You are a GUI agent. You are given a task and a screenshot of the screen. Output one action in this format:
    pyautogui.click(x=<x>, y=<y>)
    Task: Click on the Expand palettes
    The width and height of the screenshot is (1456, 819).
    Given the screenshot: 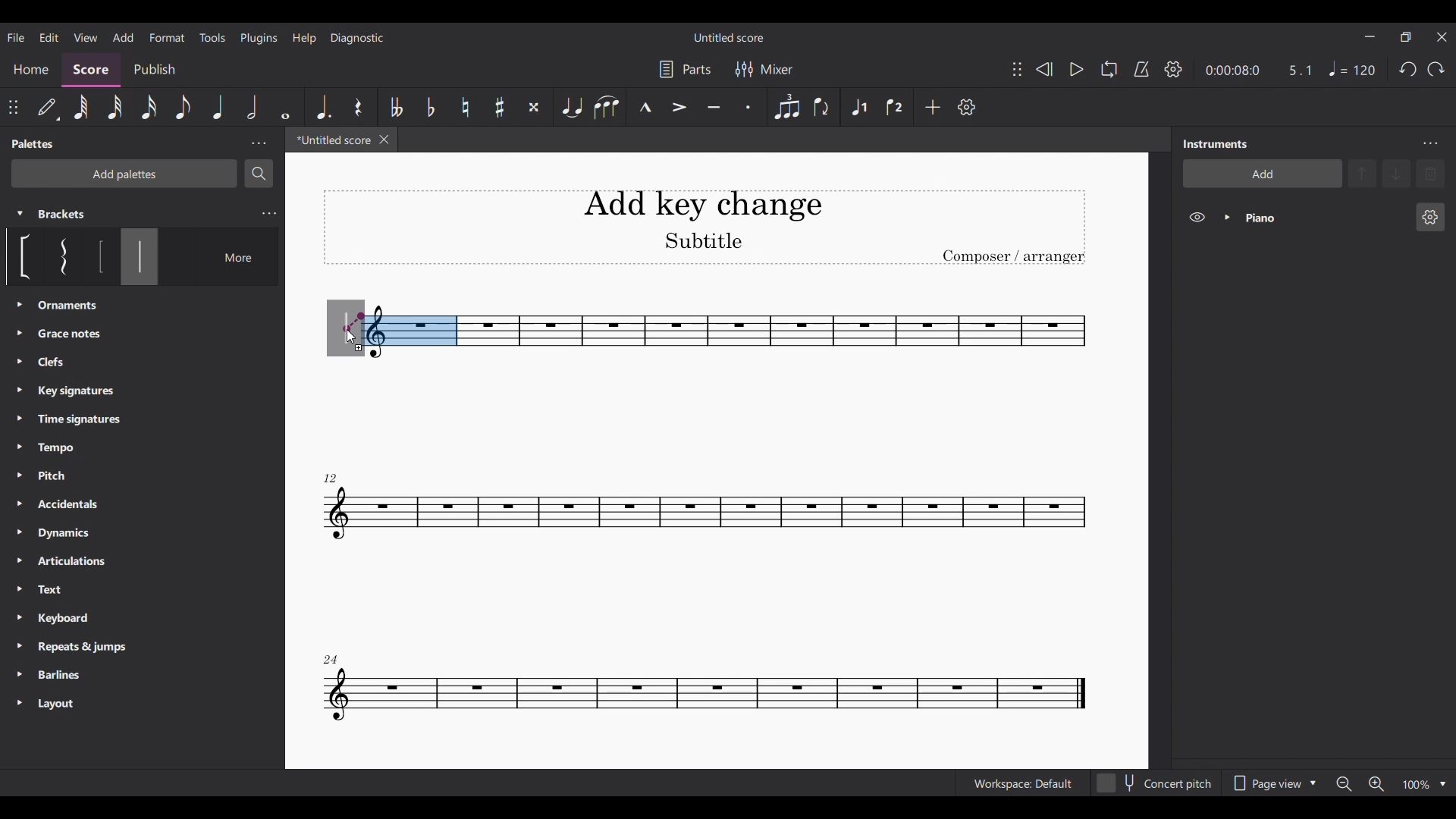 What is the action you would take?
    pyautogui.click(x=20, y=504)
    